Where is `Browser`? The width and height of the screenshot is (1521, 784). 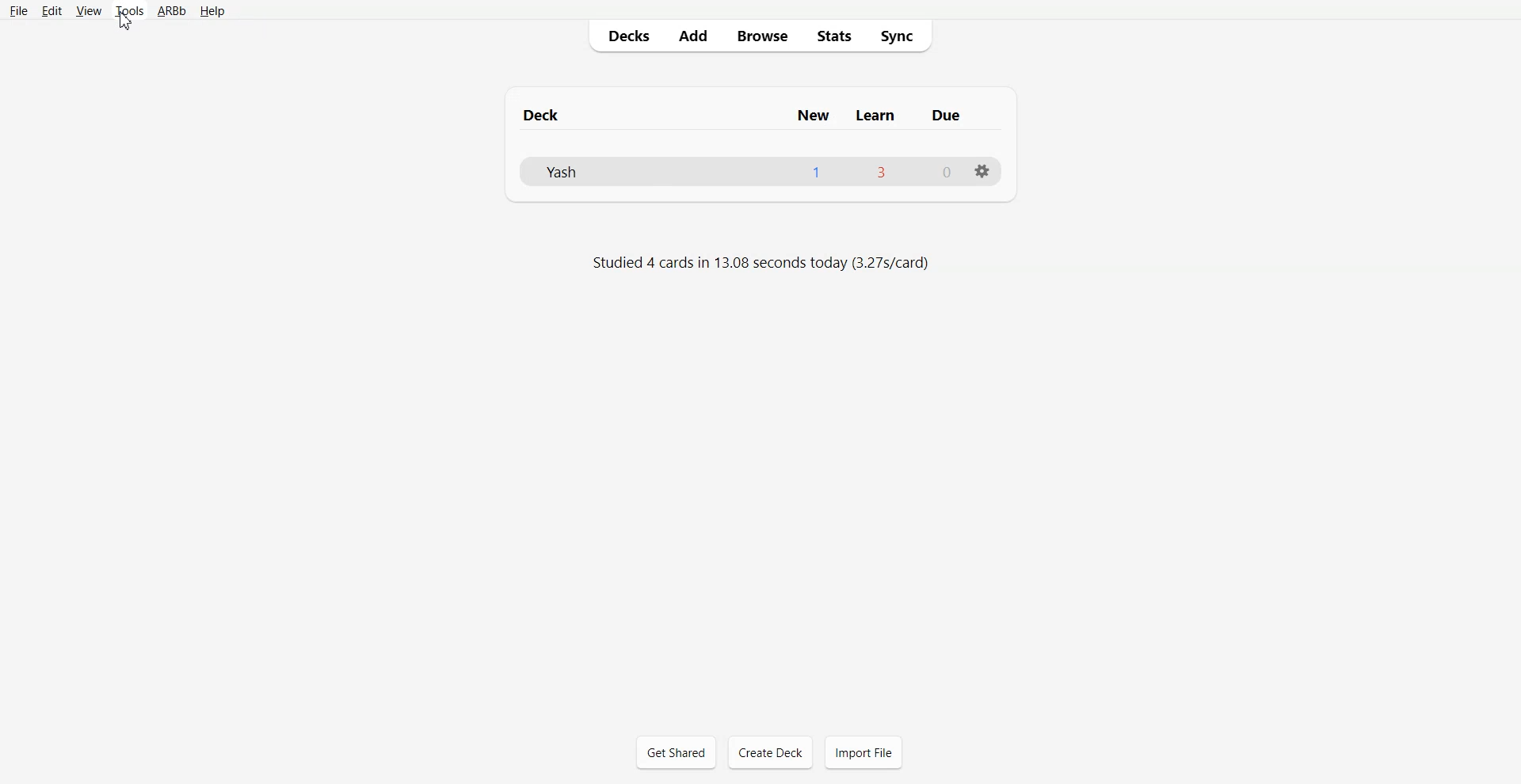 Browser is located at coordinates (760, 35).